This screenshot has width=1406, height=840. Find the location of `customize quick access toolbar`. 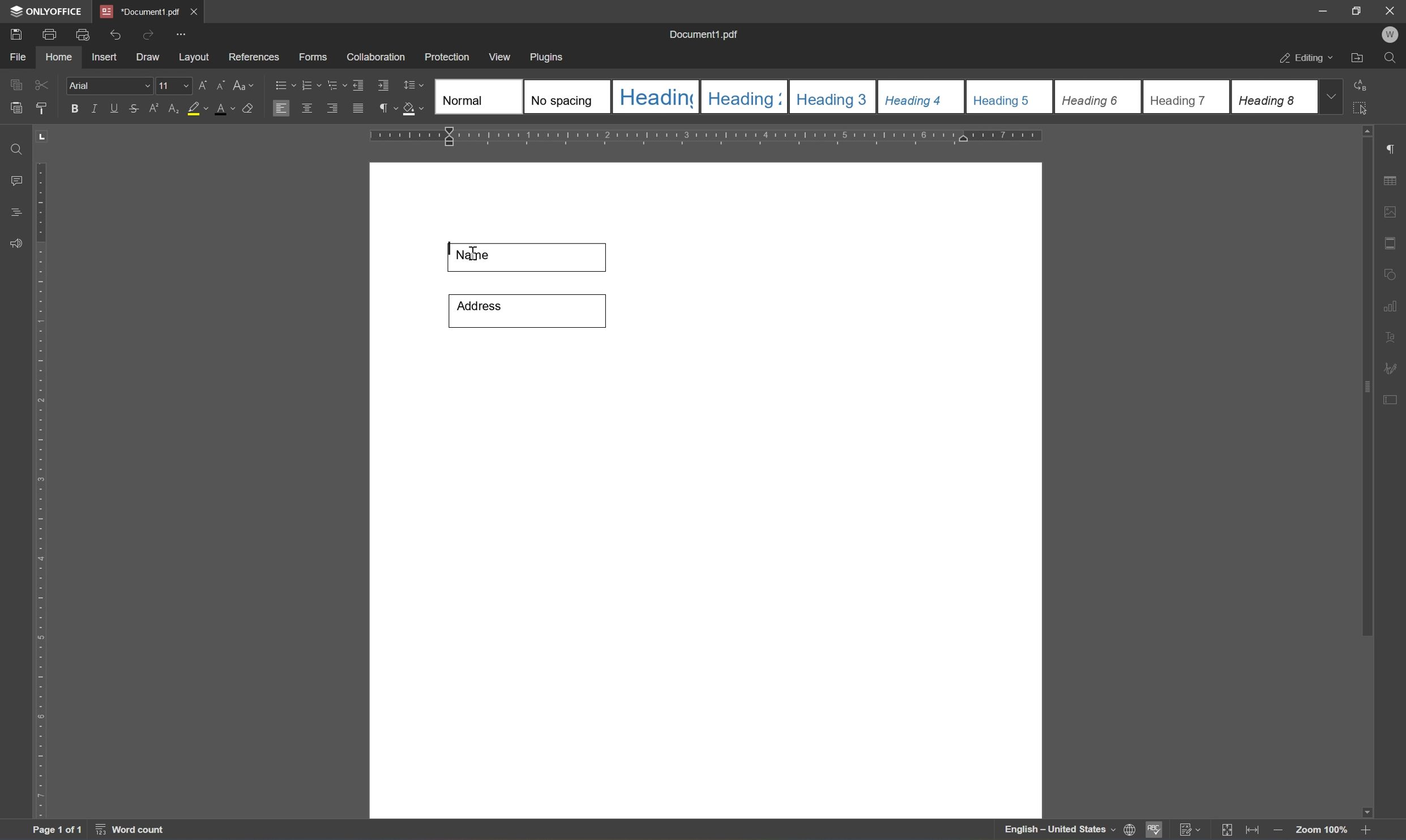

customize quick access toolbar is located at coordinates (181, 34).